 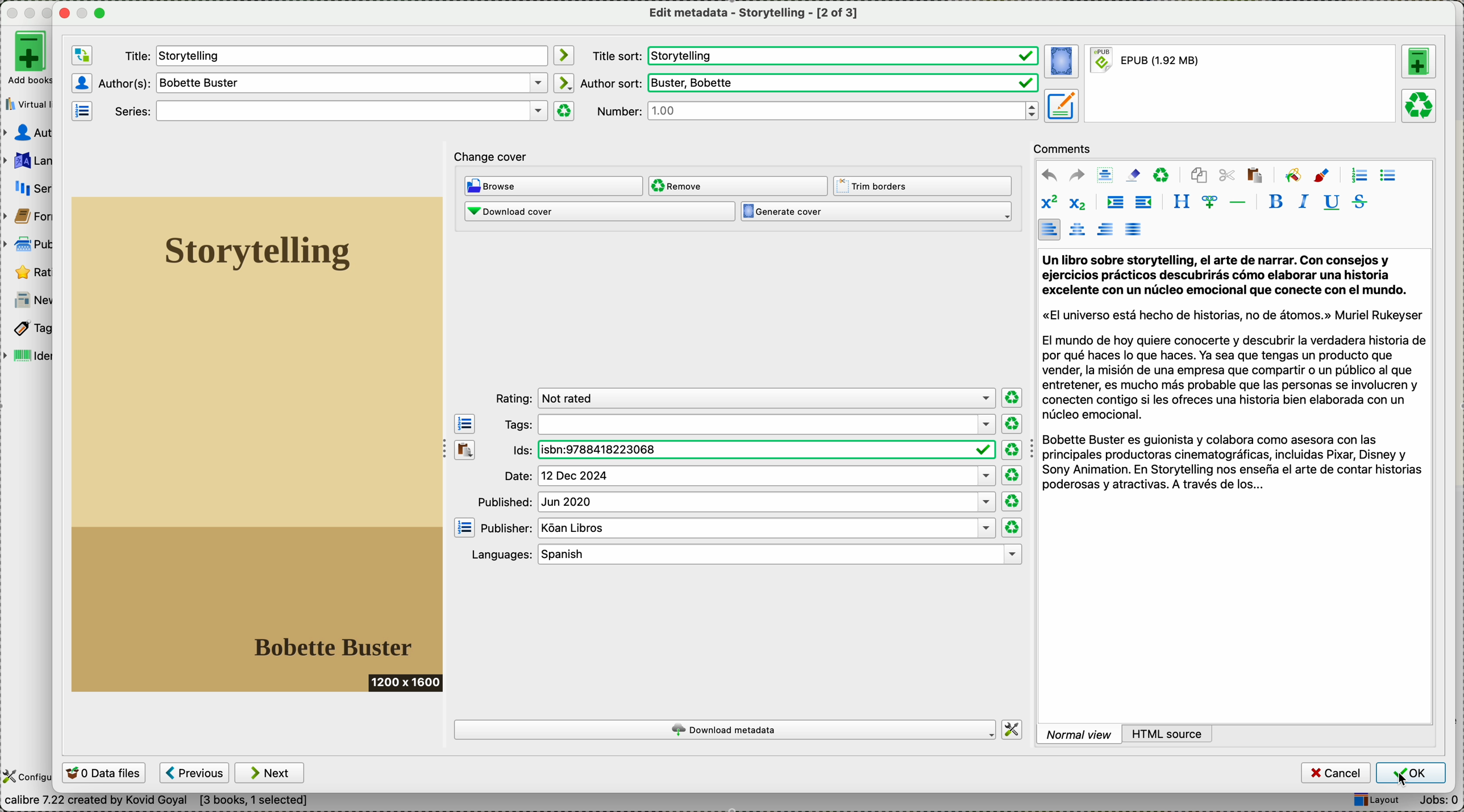 What do you see at coordinates (1437, 799) in the screenshot?
I see `jobs: 0` at bounding box center [1437, 799].